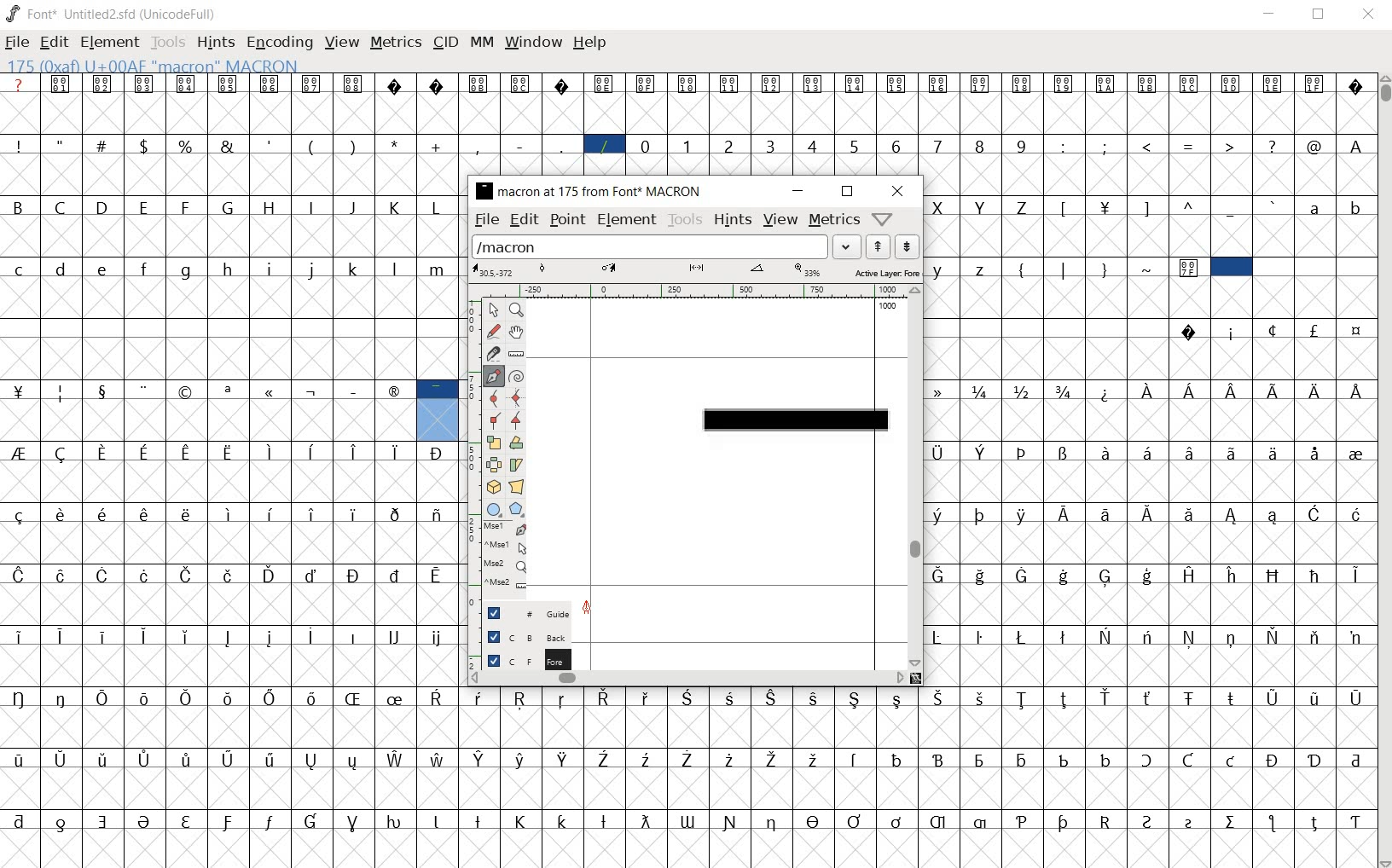 The image size is (1392, 868). Describe the element at coordinates (315, 699) in the screenshot. I see `Symbol` at that location.